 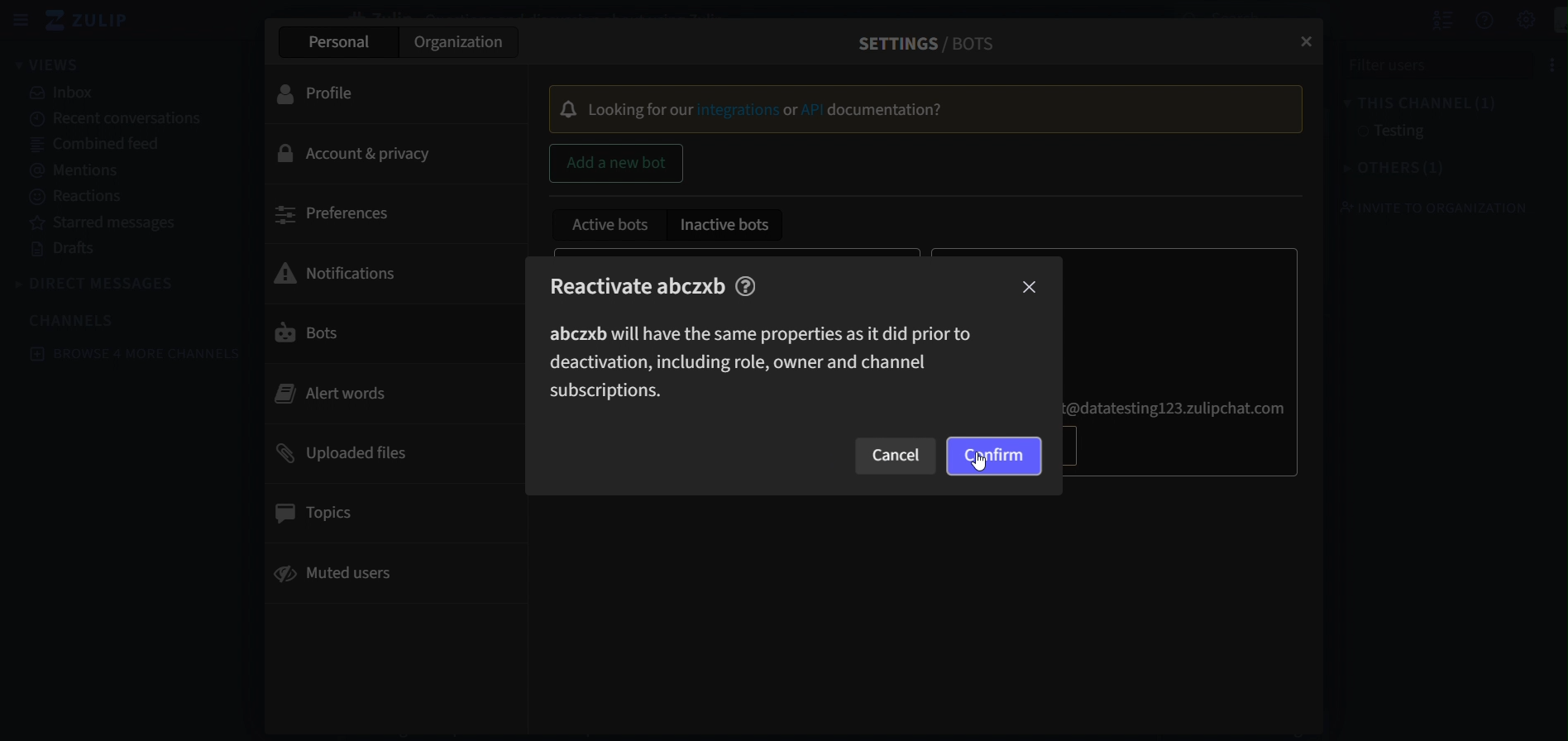 What do you see at coordinates (791, 111) in the screenshot?
I see `or` at bounding box center [791, 111].